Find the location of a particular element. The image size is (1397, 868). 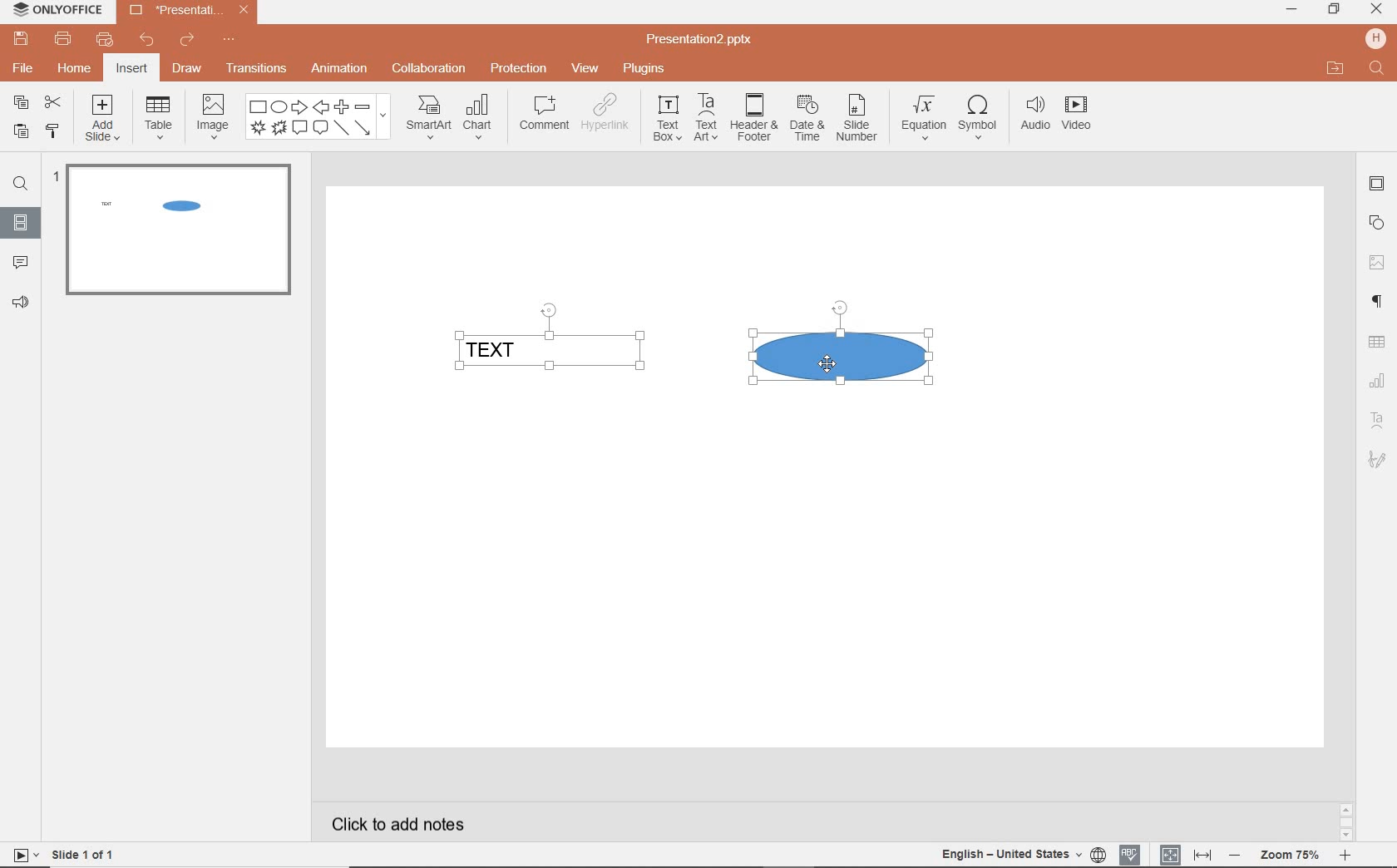

plugins is located at coordinates (643, 70).